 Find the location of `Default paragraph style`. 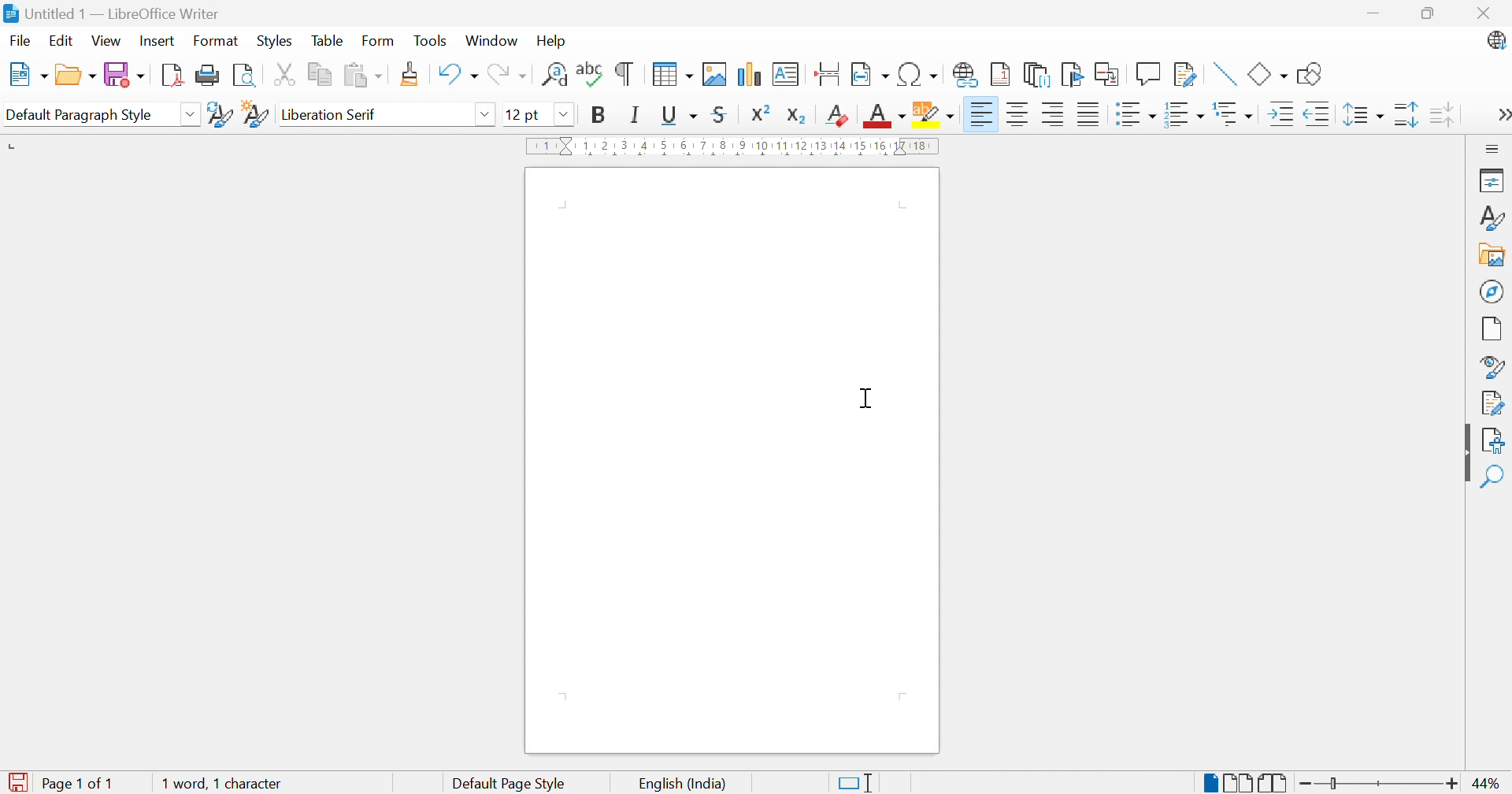

Default paragraph style is located at coordinates (83, 117).